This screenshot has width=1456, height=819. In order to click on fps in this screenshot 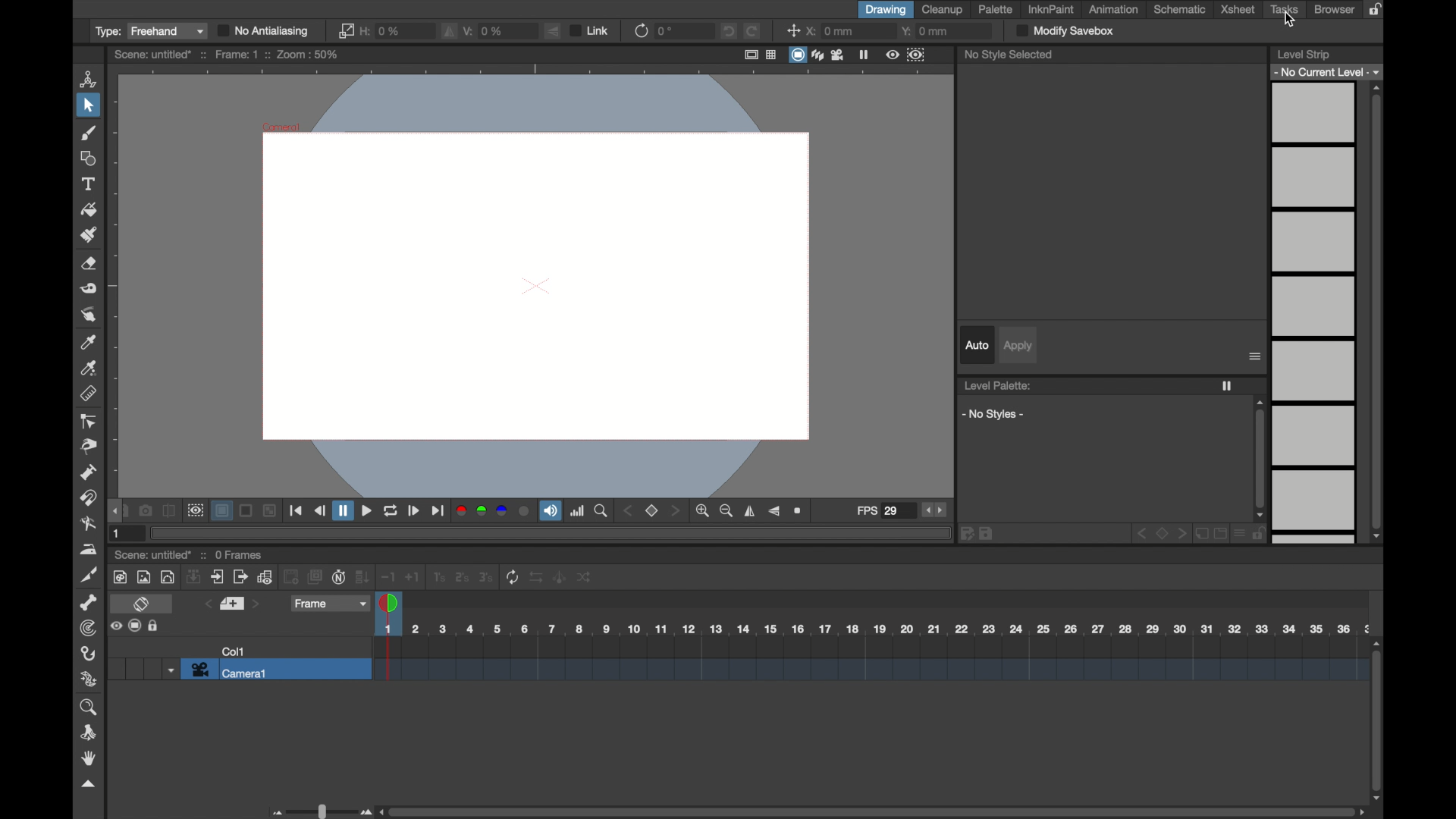, I will do `click(878, 511)`.